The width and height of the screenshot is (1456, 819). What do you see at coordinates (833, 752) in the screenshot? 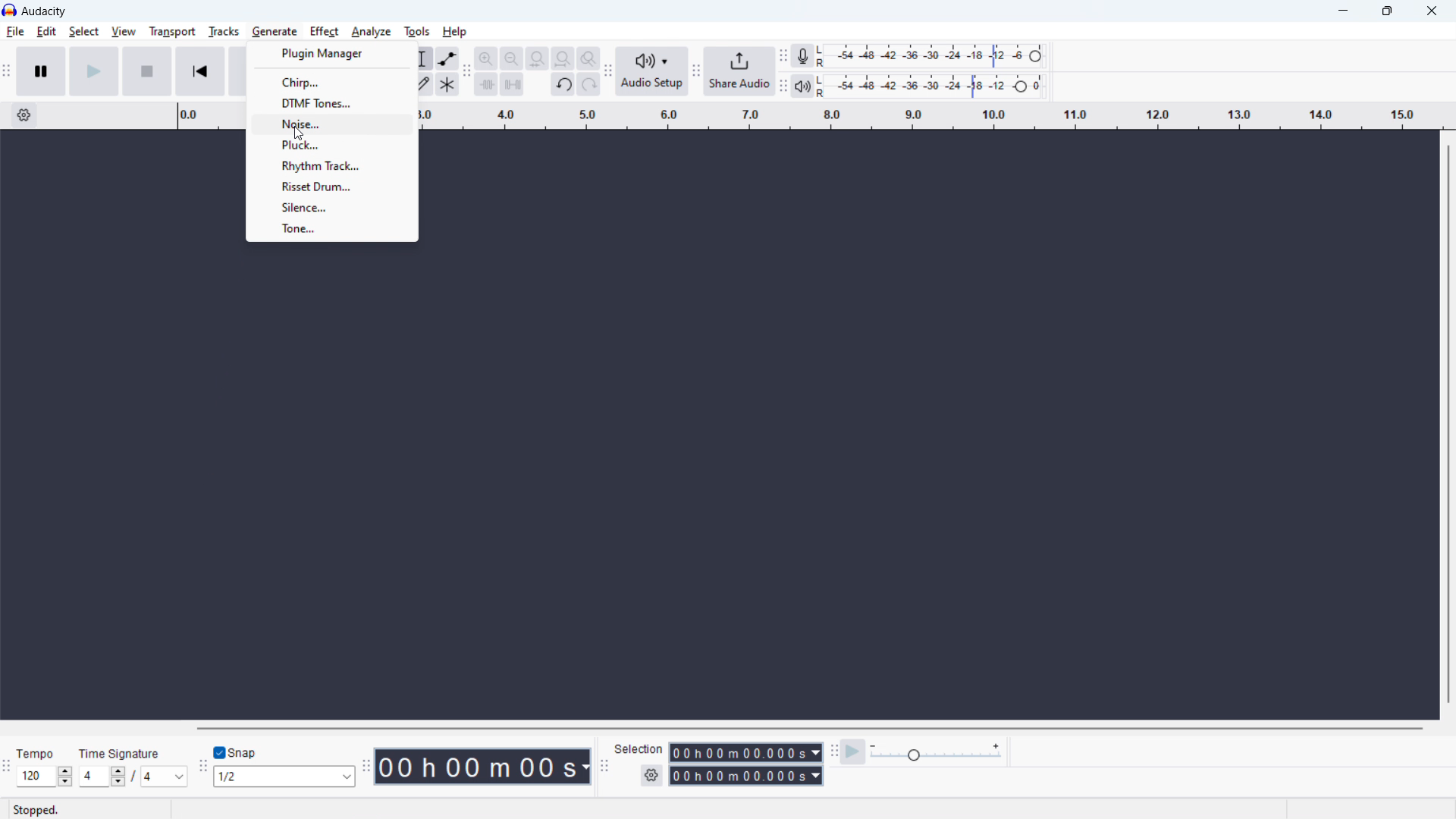
I see `play at speed toolbar` at bounding box center [833, 752].